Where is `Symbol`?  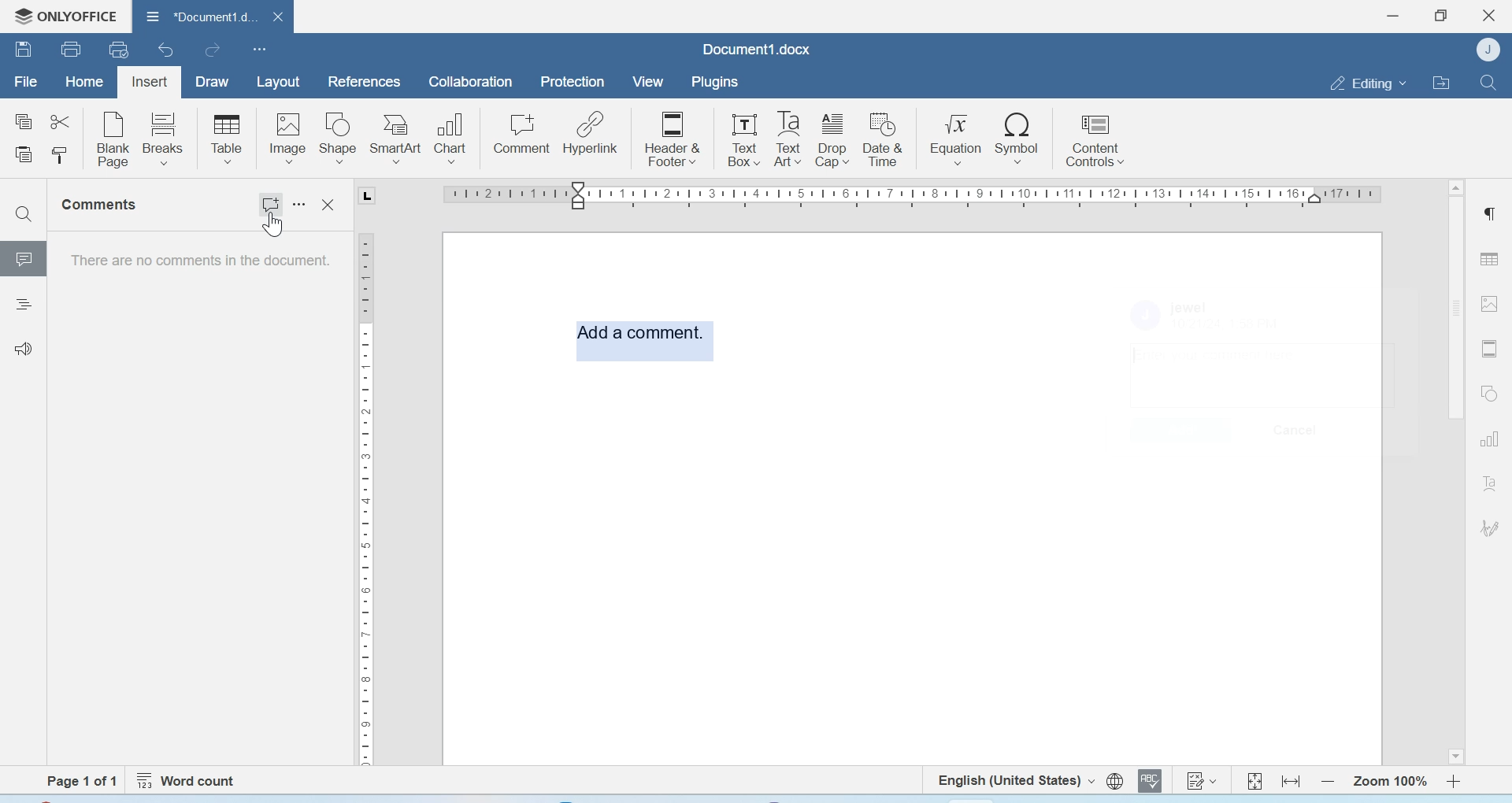
Symbol is located at coordinates (1018, 137).